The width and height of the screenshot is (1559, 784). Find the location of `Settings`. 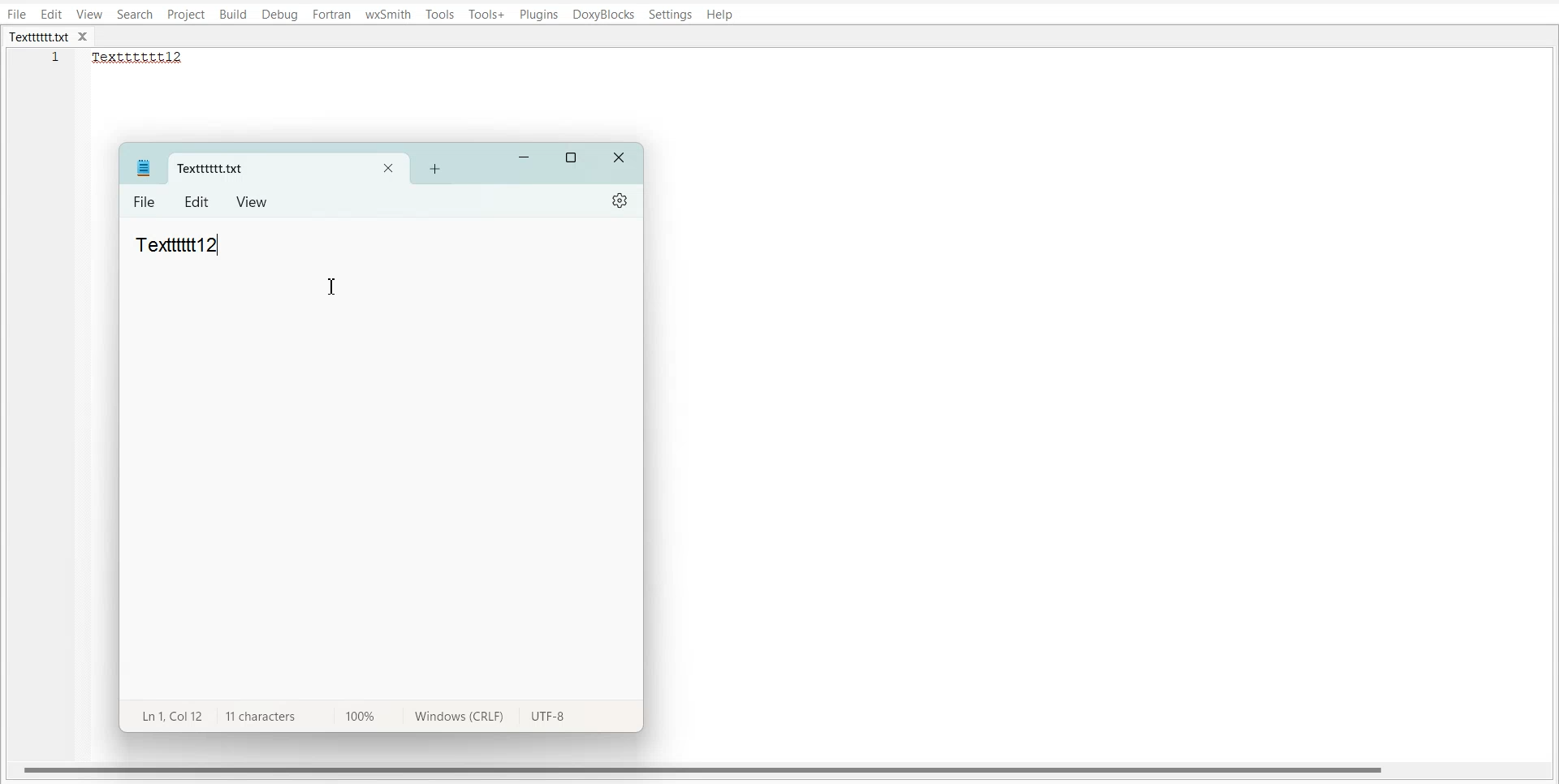

Settings is located at coordinates (671, 15).